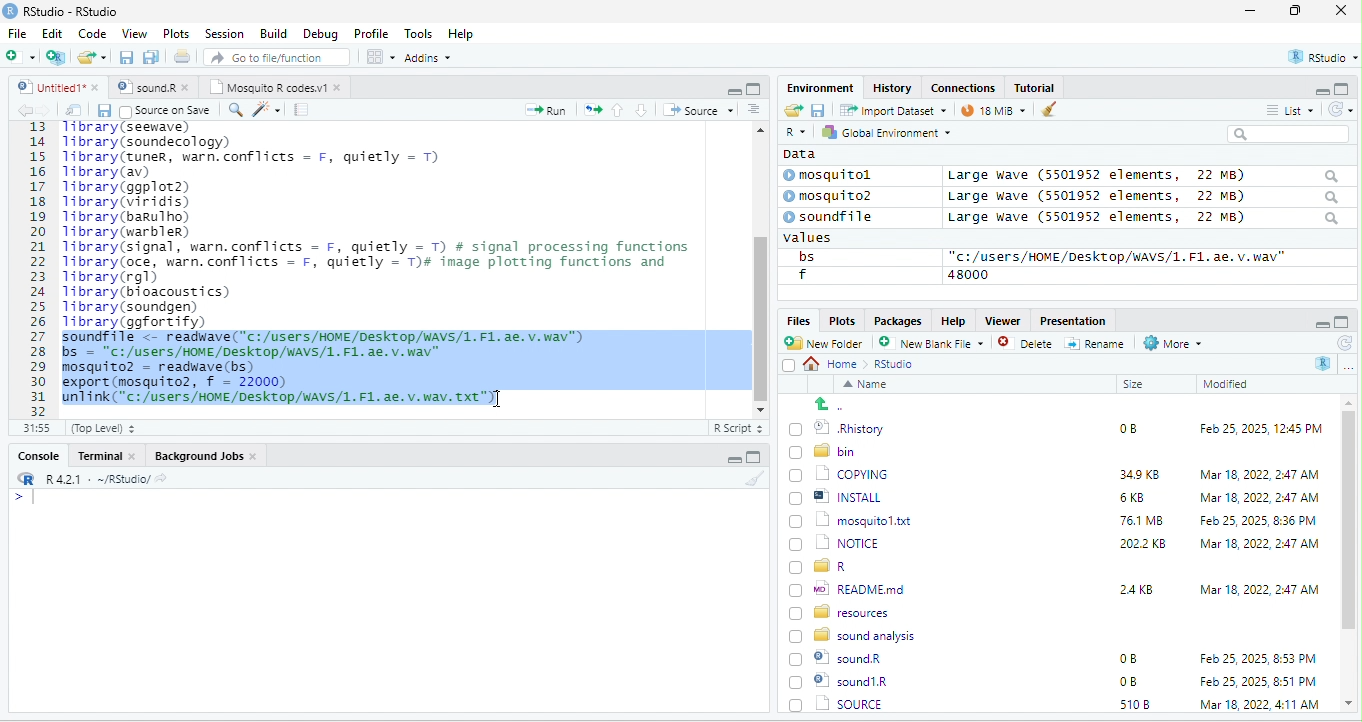 The width and height of the screenshot is (1362, 722). Describe the element at coordinates (87, 481) in the screenshot. I see `RR R421 - ~/RStudio/` at that location.